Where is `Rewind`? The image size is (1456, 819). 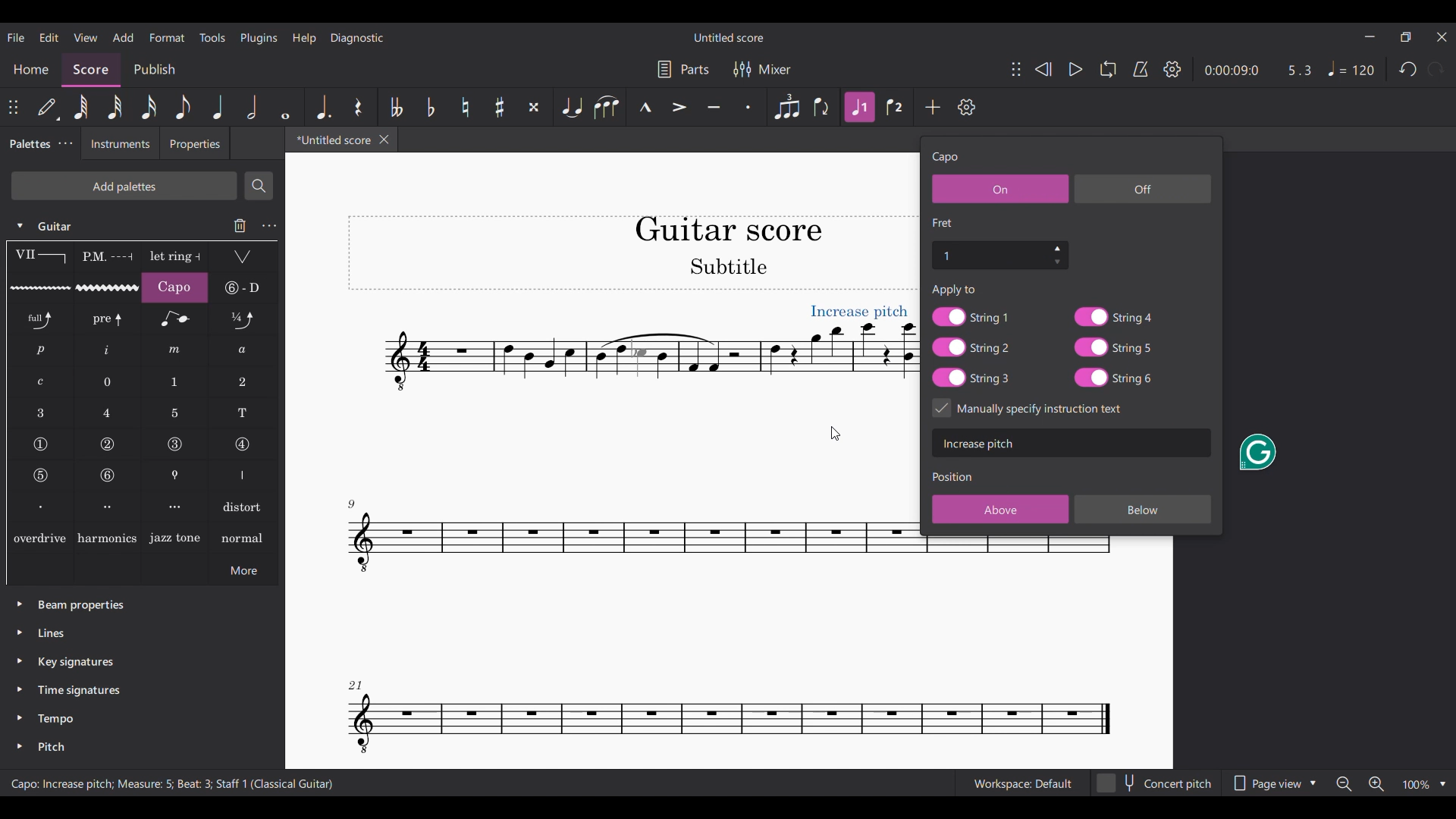
Rewind is located at coordinates (1043, 69).